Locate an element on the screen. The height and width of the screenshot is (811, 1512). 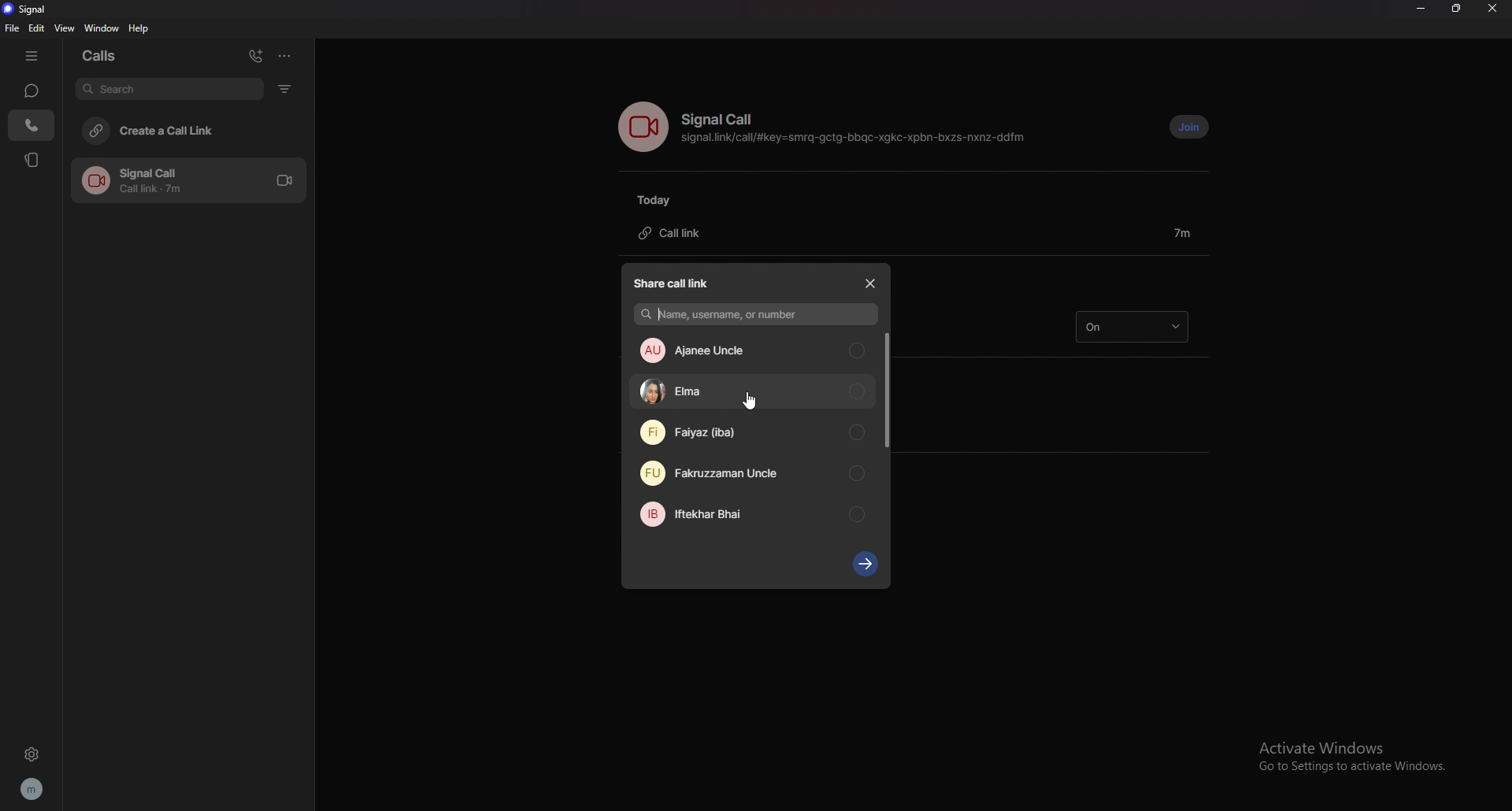
create a call link is located at coordinates (187, 130).